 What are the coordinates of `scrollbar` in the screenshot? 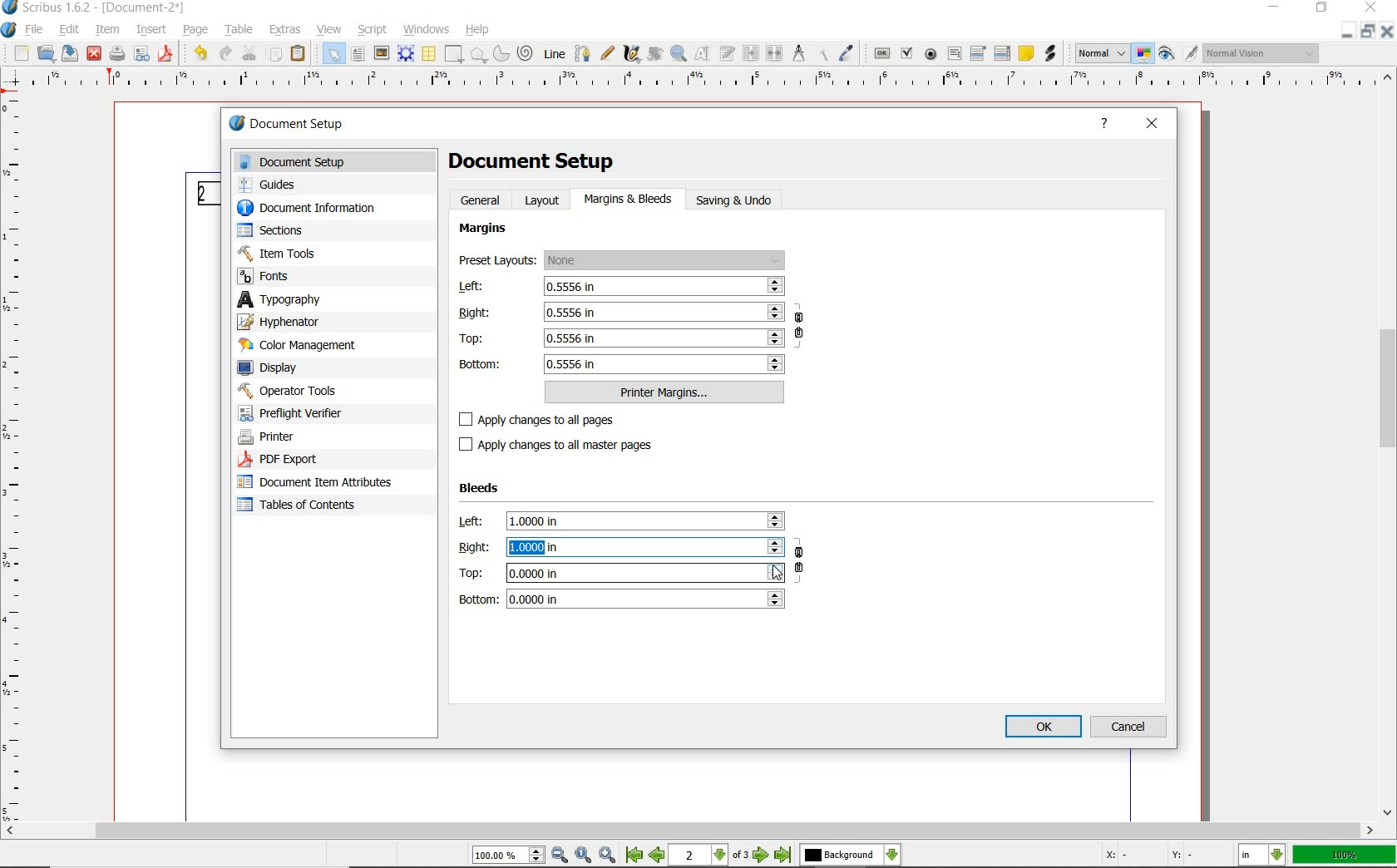 It's located at (1389, 445).